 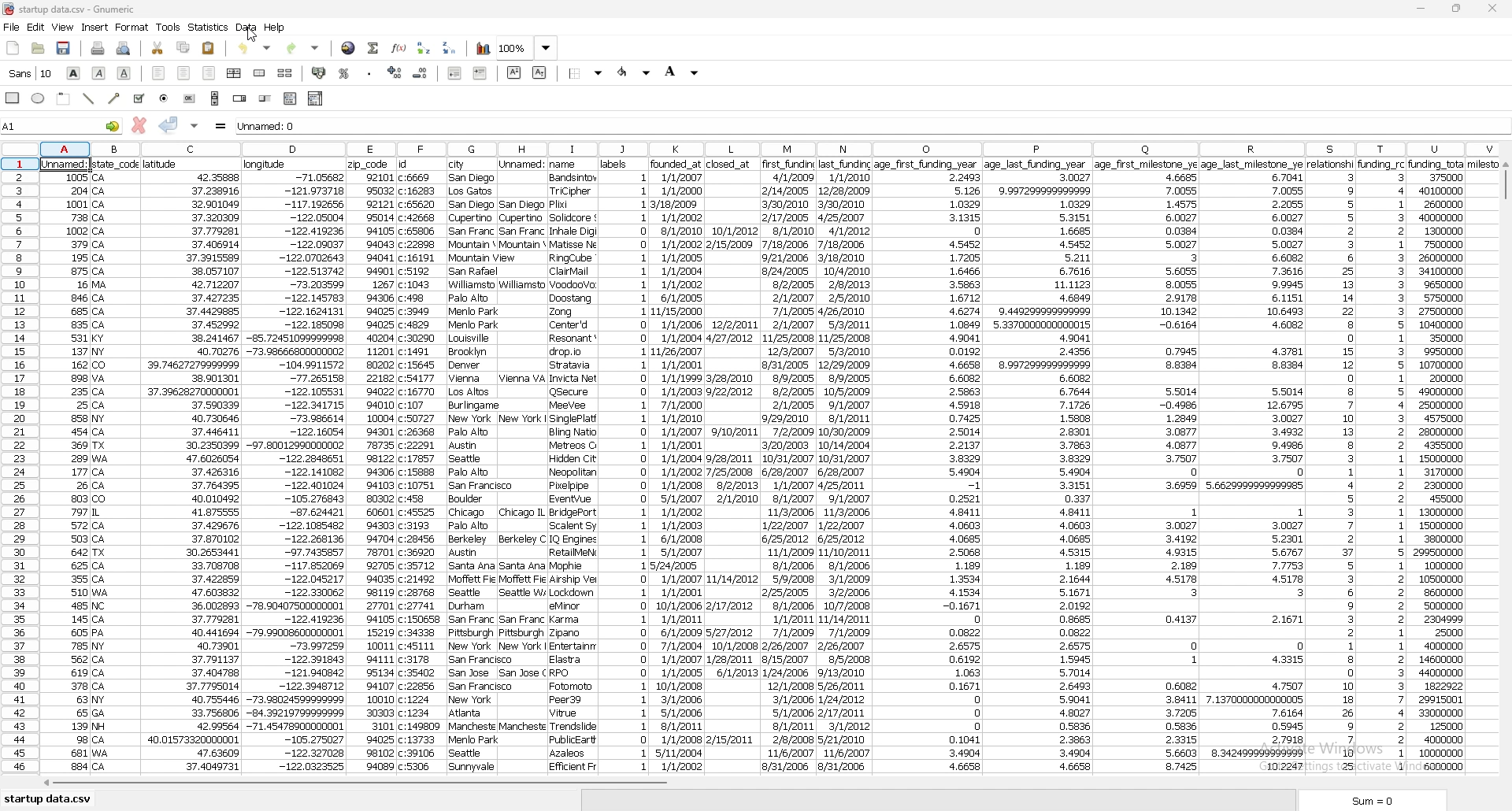 I want to click on right align, so click(x=209, y=73).